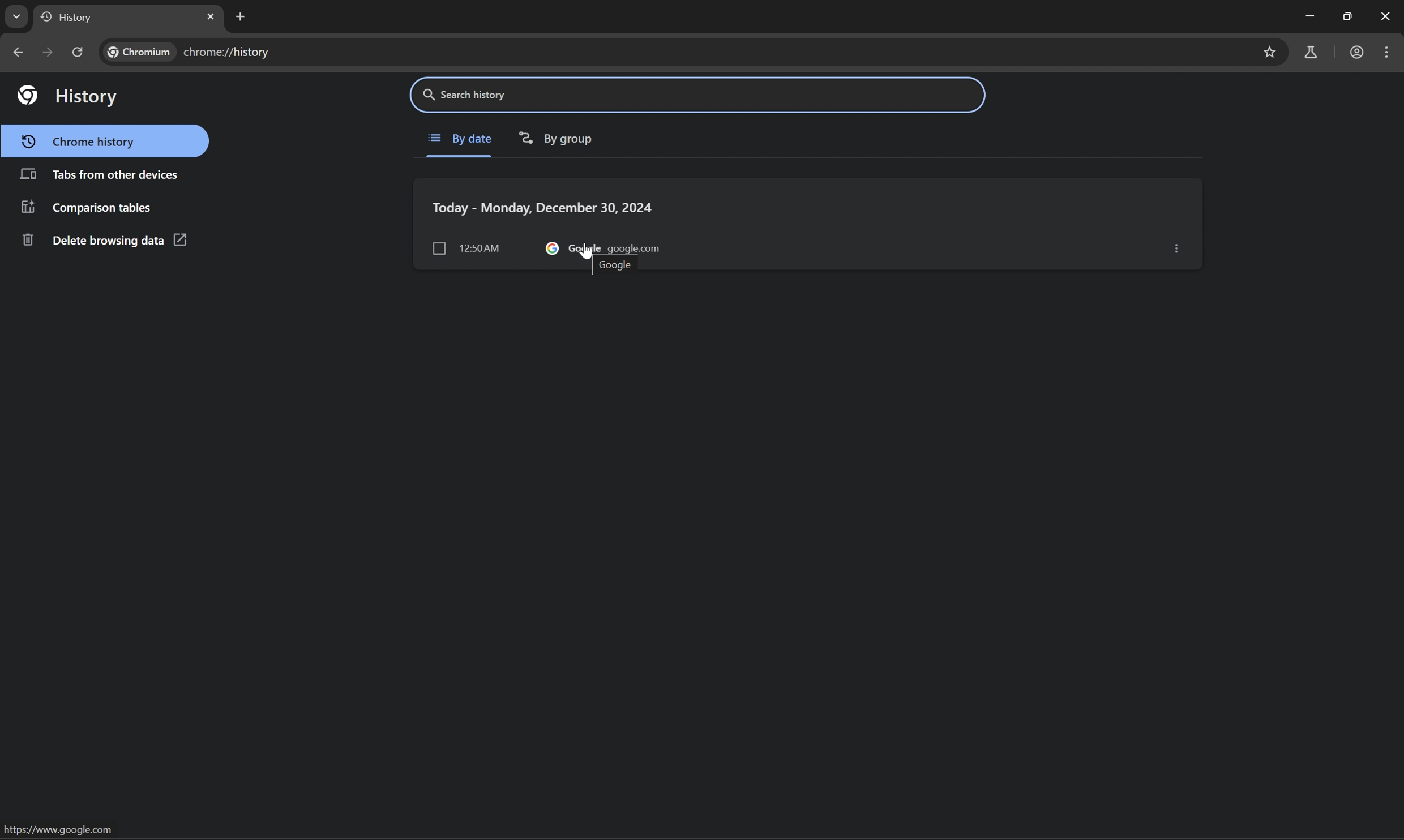  Describe the element at coordinates (67, 18) in the screenshot. I see `history` at that location.